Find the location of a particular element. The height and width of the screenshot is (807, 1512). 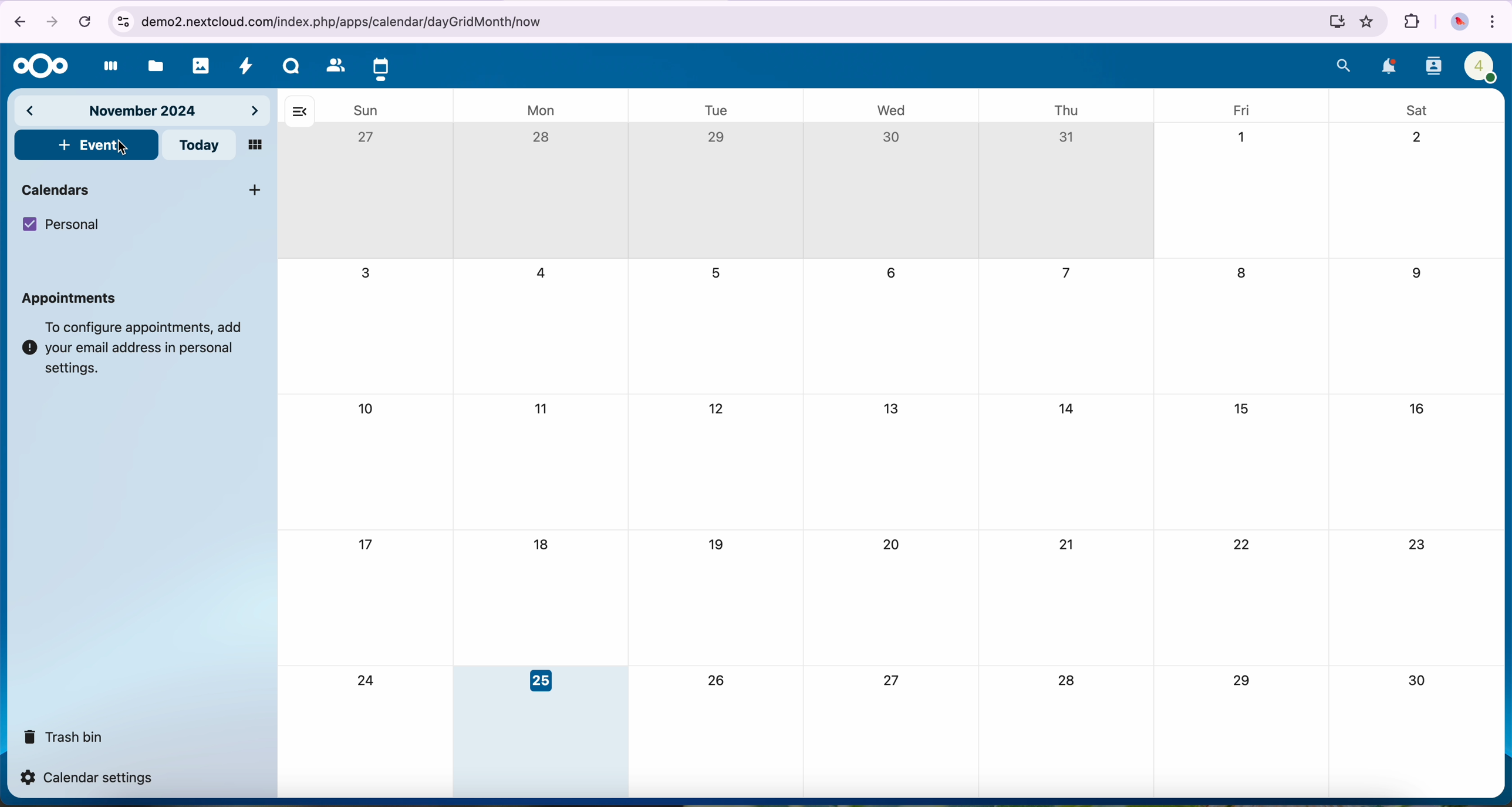

mon is located at coordinates (544, 110).